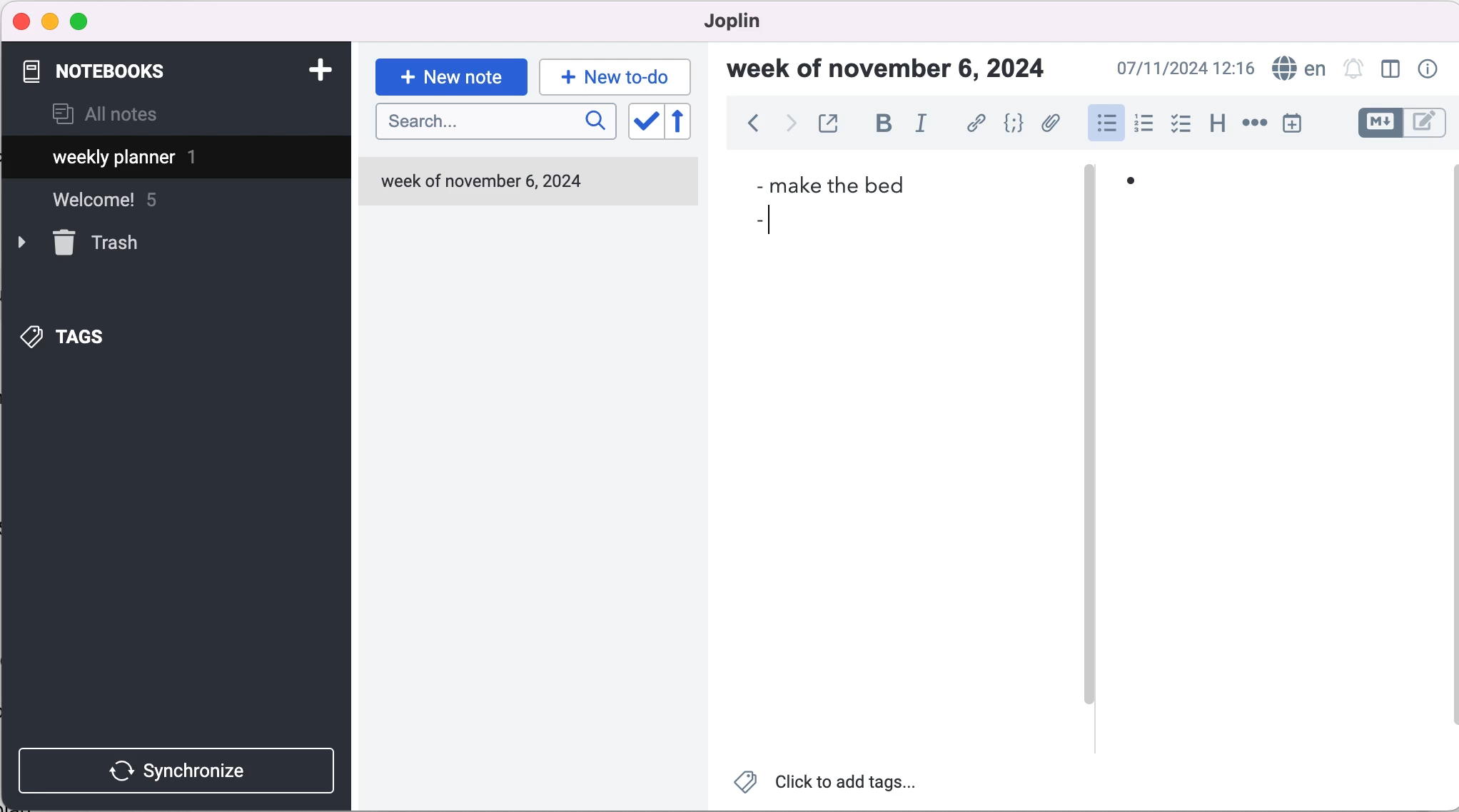 The height and width of the screenshot is (812, 1459). Describe the element at coordinates (836, 785) in the screenshot. I see `click to add tags` at that location.